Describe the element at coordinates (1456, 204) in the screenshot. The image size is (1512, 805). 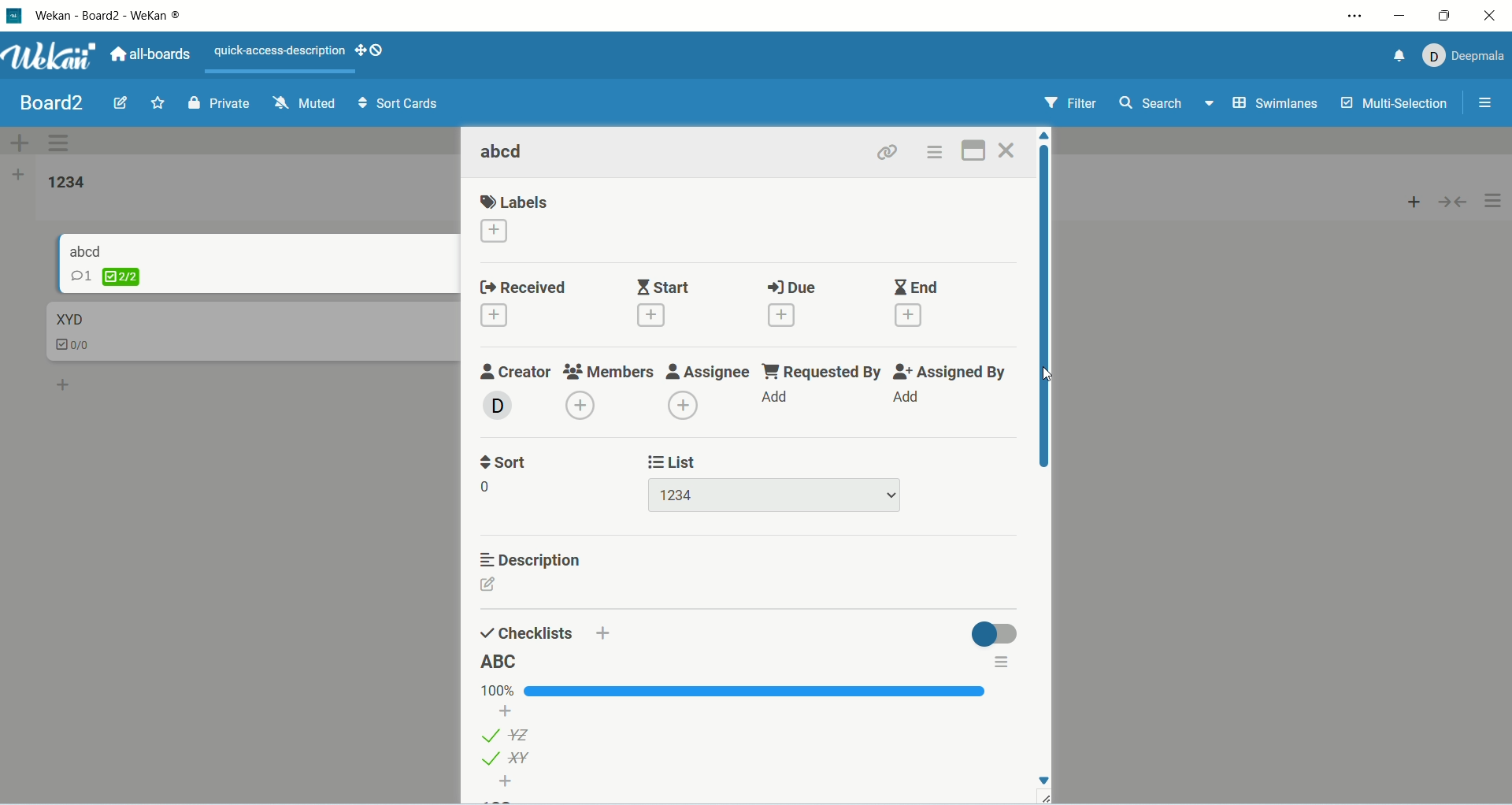
I see `collapse` at that location.